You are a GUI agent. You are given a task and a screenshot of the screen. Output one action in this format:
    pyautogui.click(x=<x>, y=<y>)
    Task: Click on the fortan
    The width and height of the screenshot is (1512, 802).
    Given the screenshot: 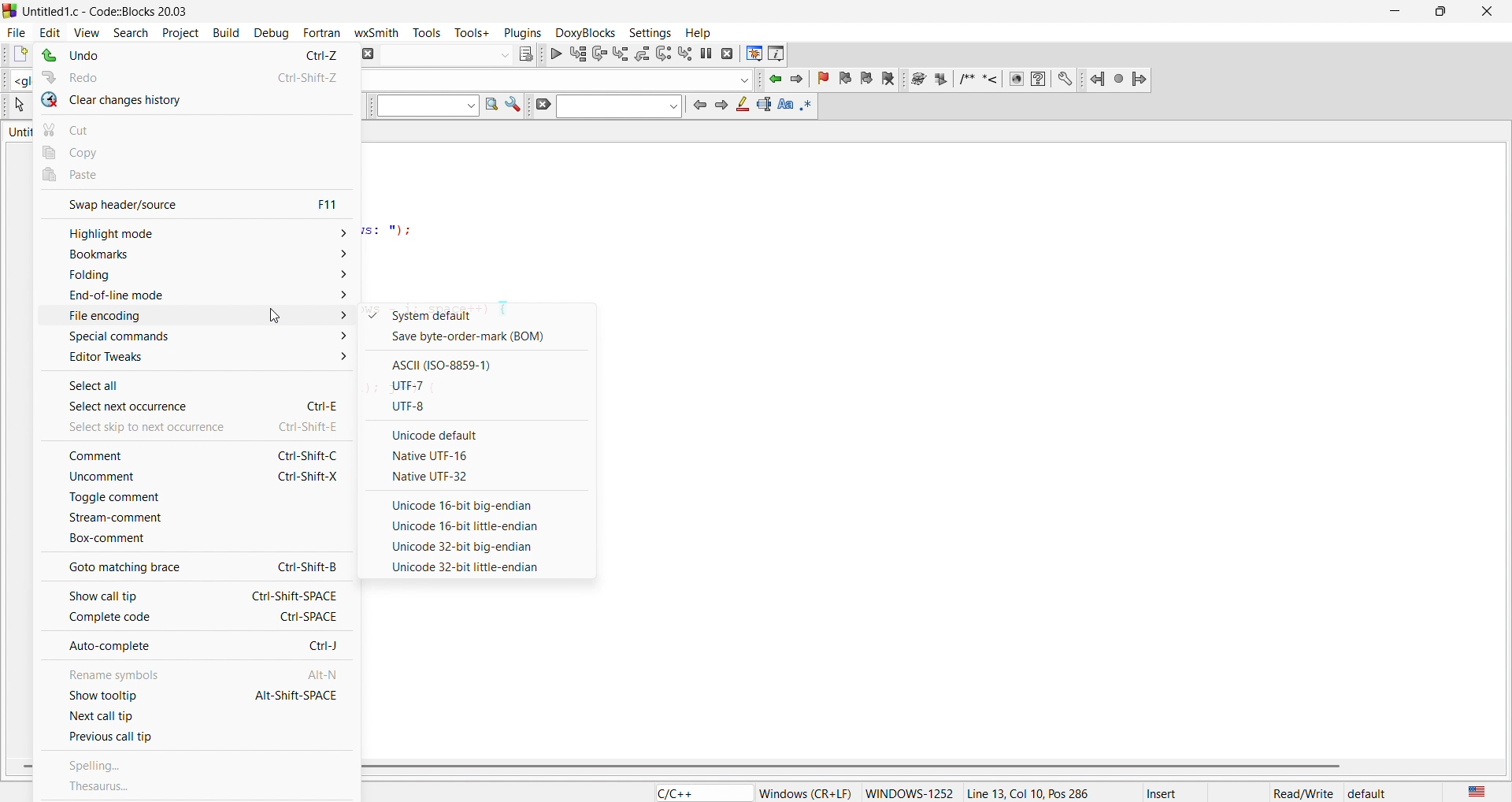 What is the action you would take?
    pyautogui.click(x=324, y=32)
    